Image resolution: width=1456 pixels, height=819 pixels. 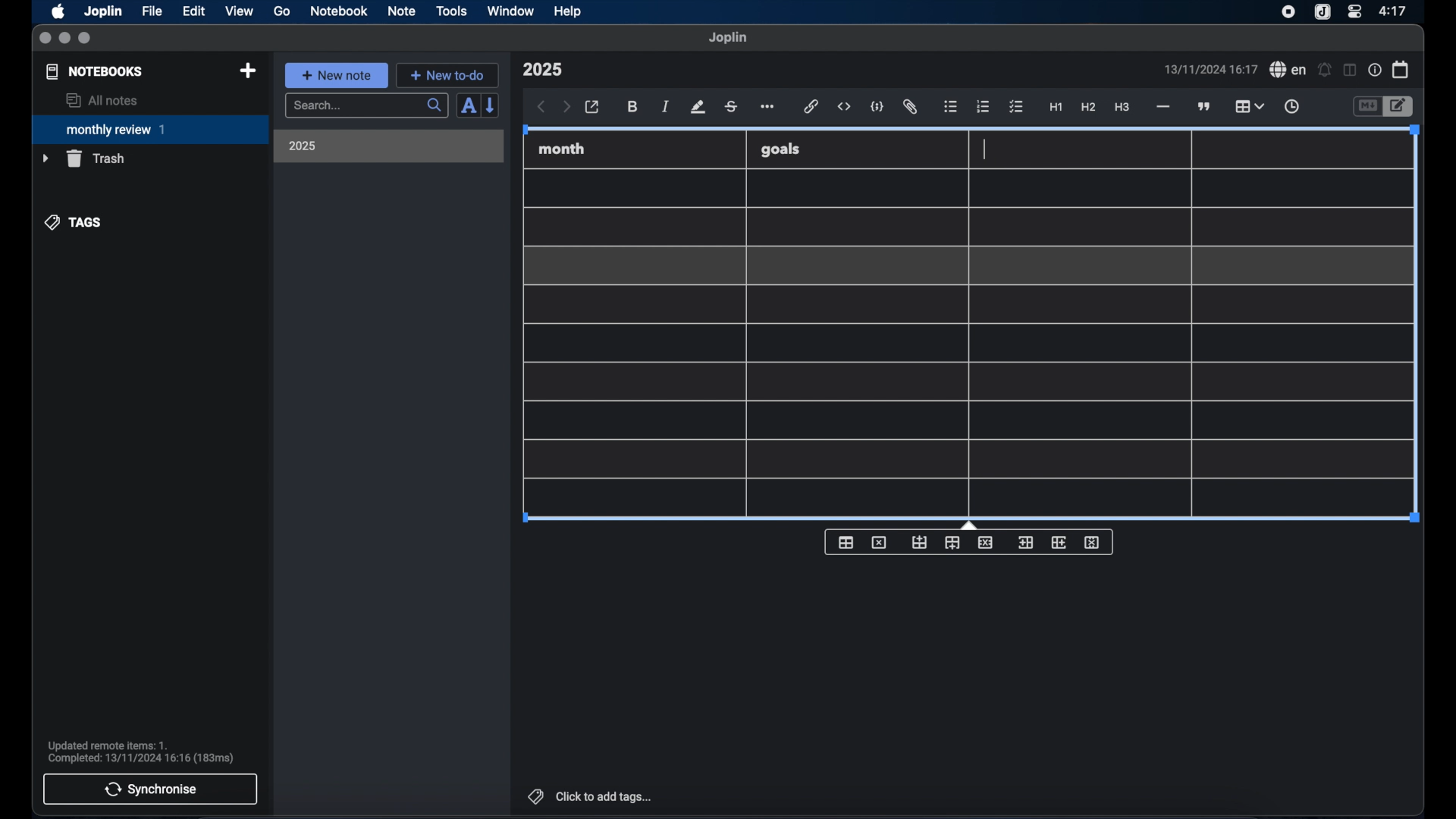 What do you see at coordinates (491, 105) in the screenshot?
I see `reverse sort order` at bounding box center [491, 105].